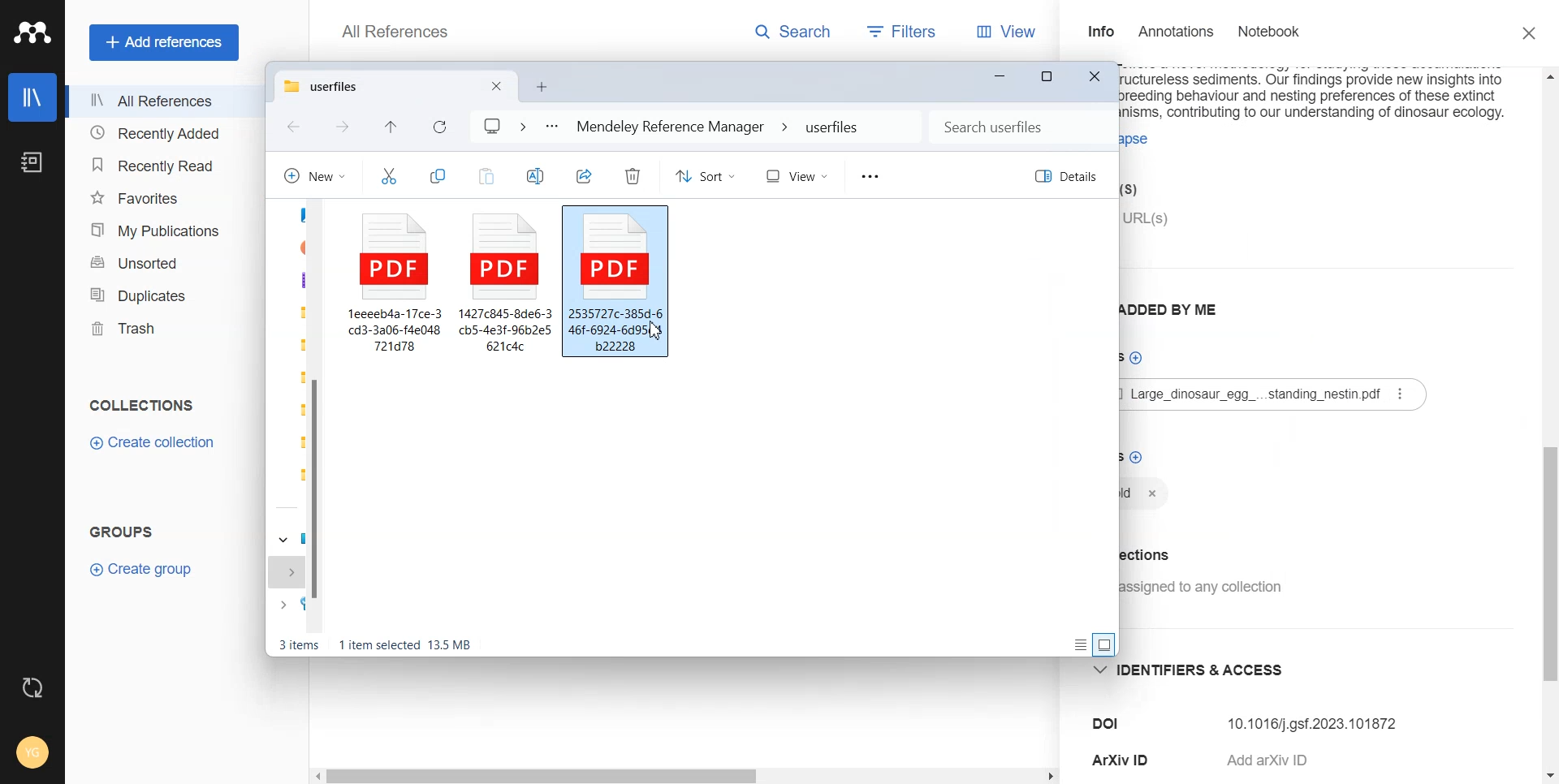  What do you see at coordinates (543, 778) in the screenshot?
I see `Horizontal scroll bar` at bounding box center [543, 778].